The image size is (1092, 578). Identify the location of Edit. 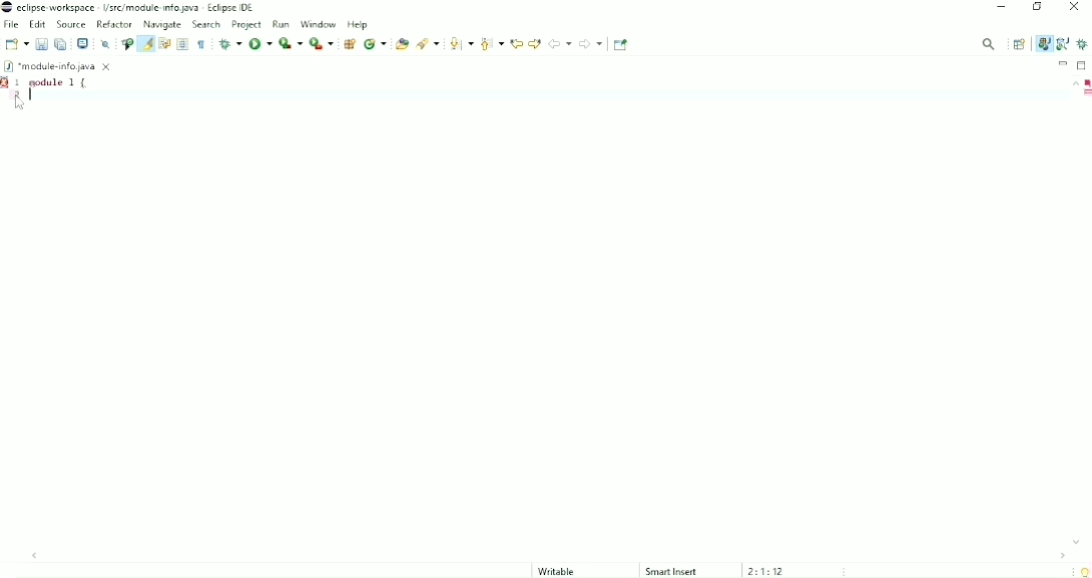
(38, 24).